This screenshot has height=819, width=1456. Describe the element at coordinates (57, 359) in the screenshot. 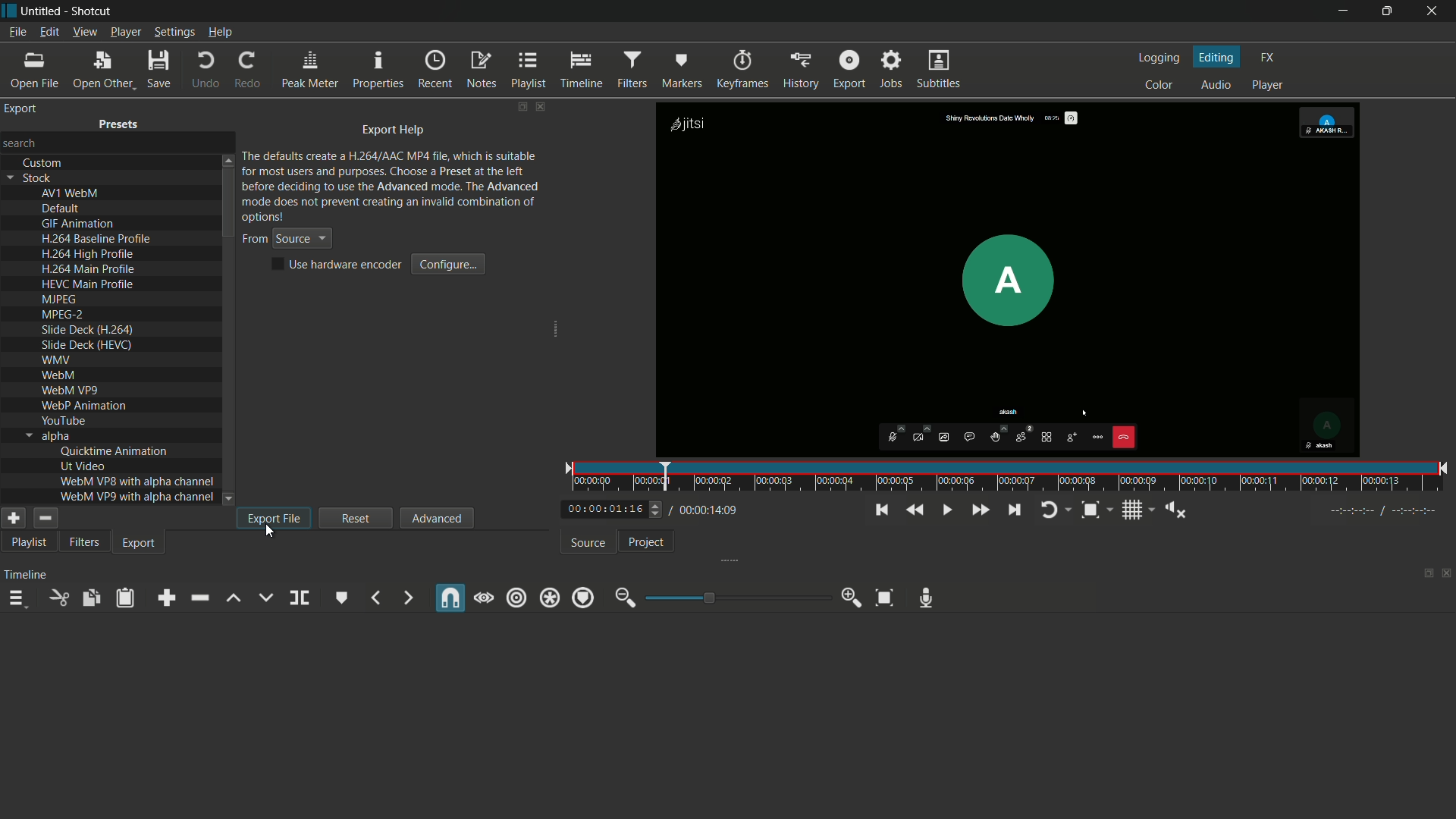

I see `text` at that location.